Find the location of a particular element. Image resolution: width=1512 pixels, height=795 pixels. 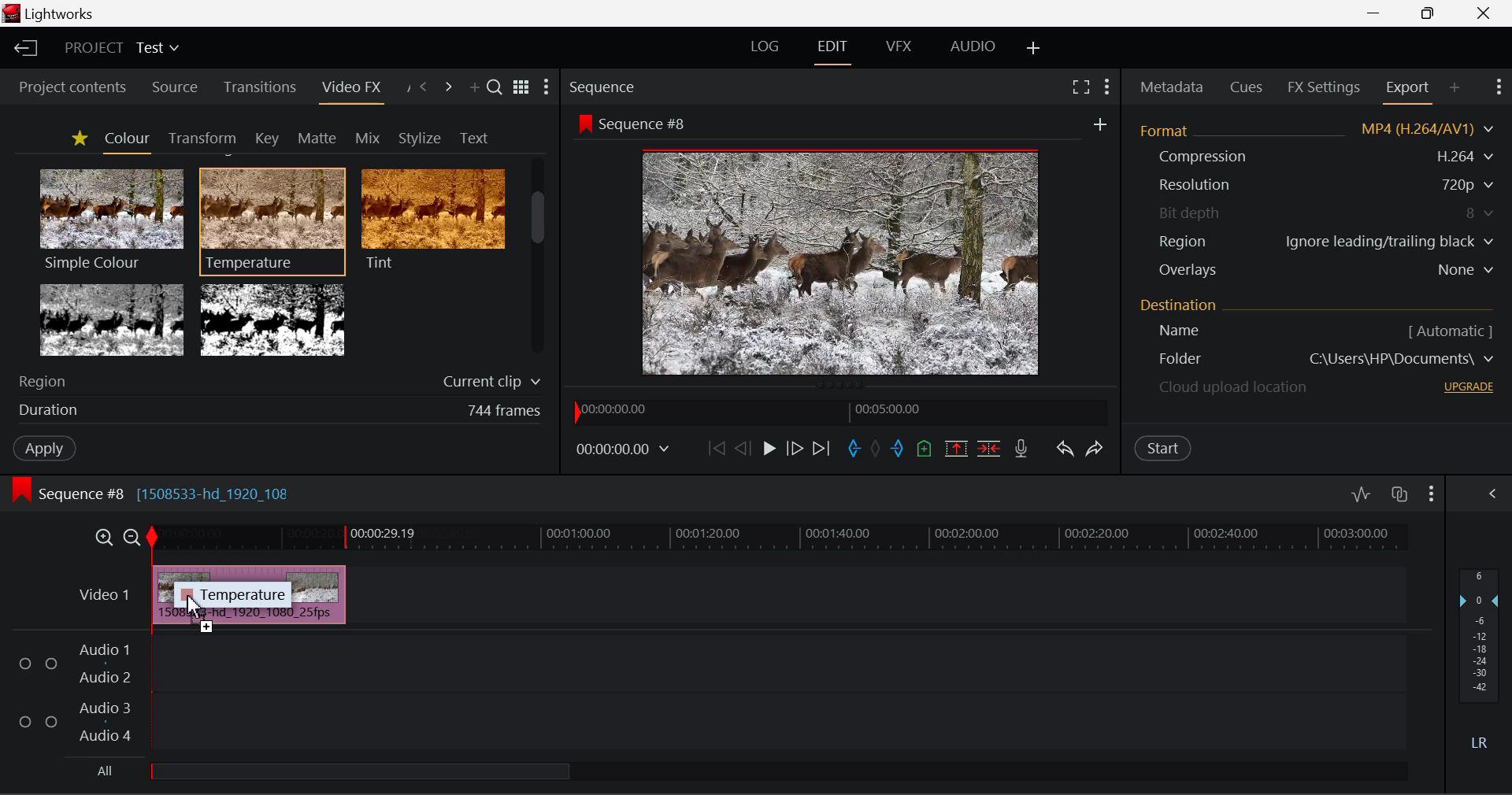

Add Panel is located at coordinates (1454, 92).